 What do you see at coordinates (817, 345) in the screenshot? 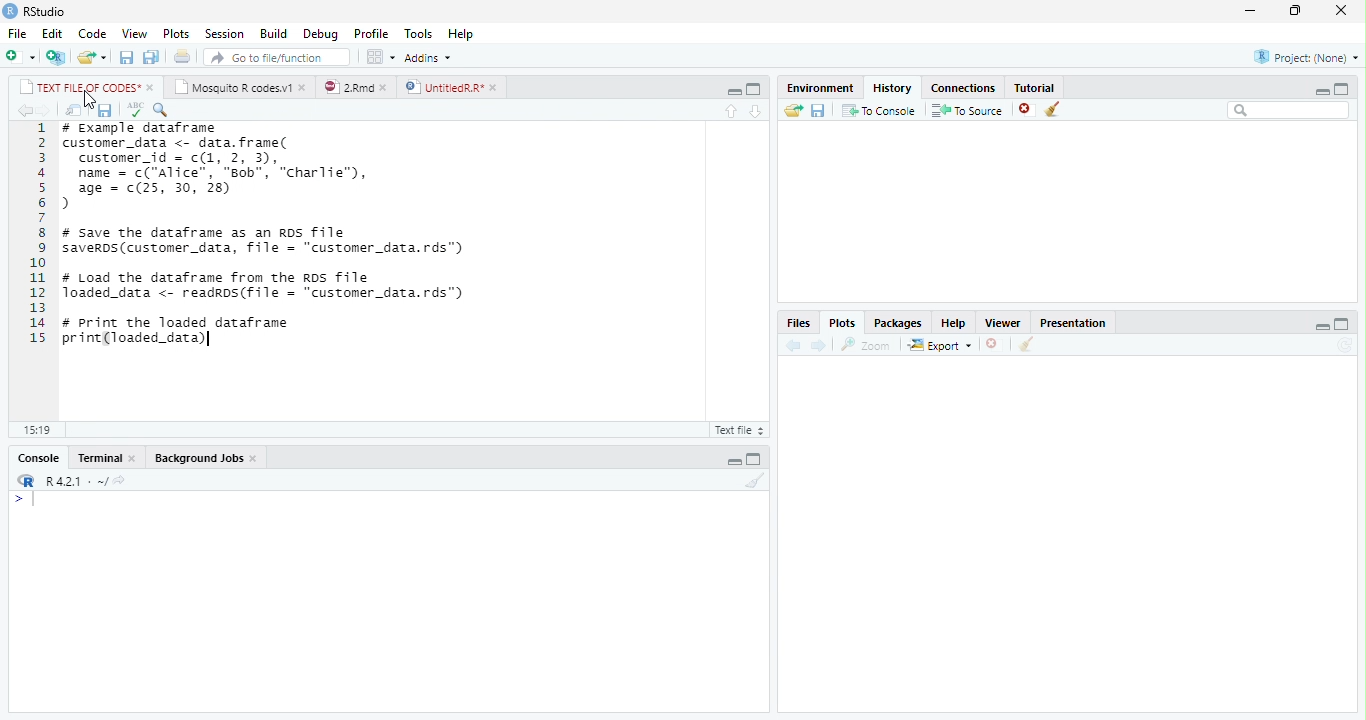
I see `forward` at bounding box center [817, 345].